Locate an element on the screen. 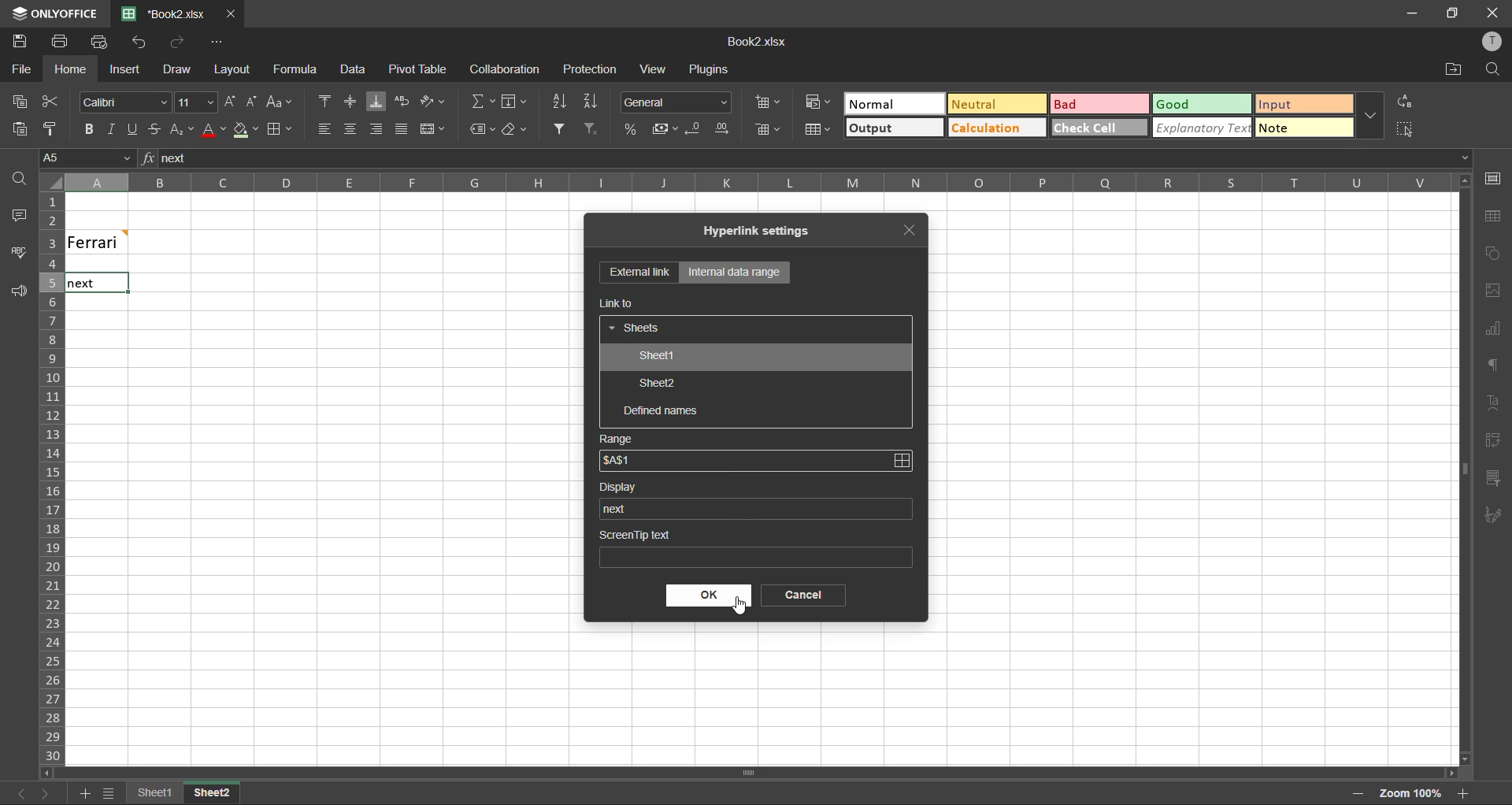  shapes is located at coordinates (1495, 254).